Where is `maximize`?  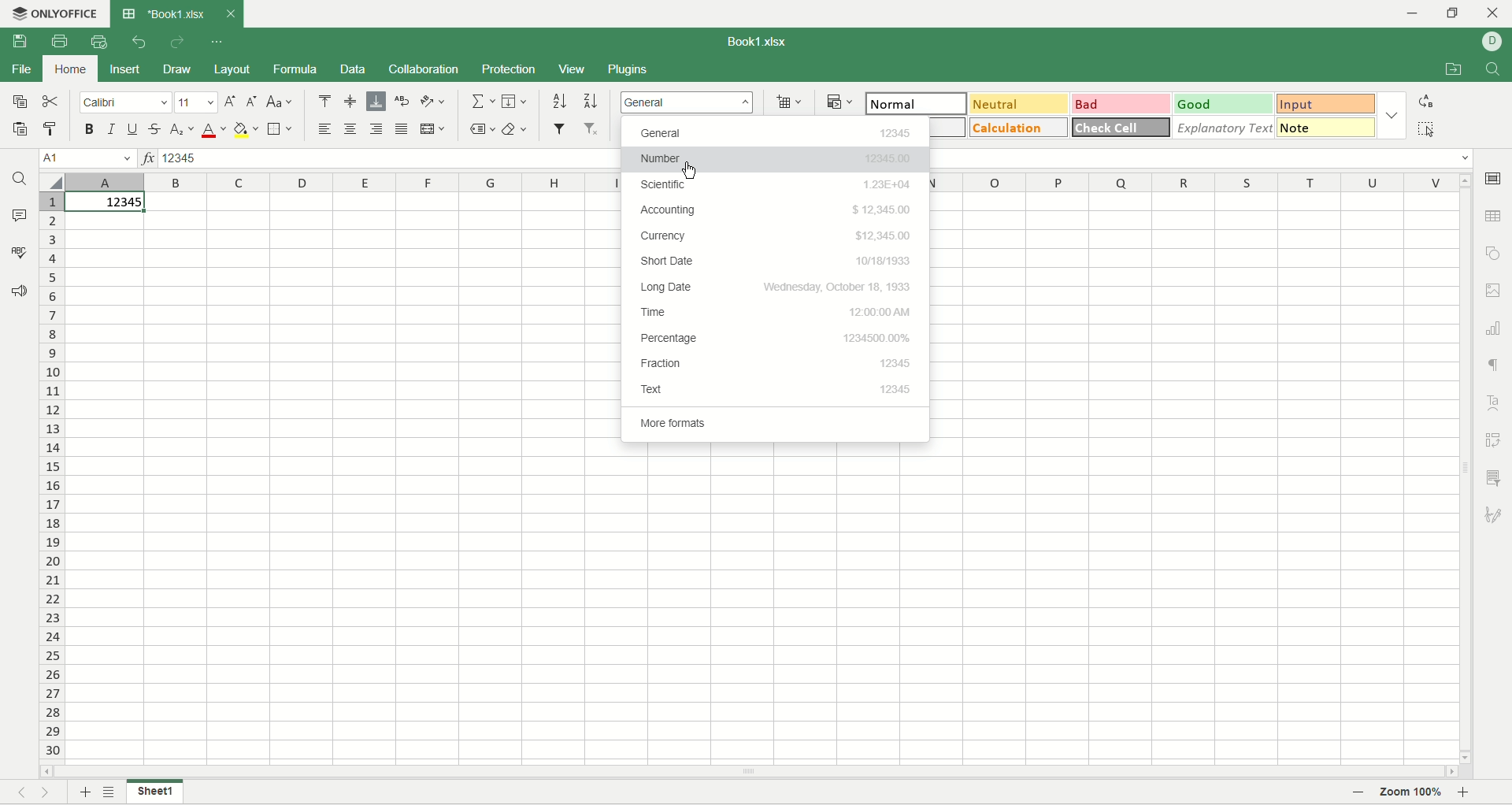 maximize is located at coordinates (1456, 14).